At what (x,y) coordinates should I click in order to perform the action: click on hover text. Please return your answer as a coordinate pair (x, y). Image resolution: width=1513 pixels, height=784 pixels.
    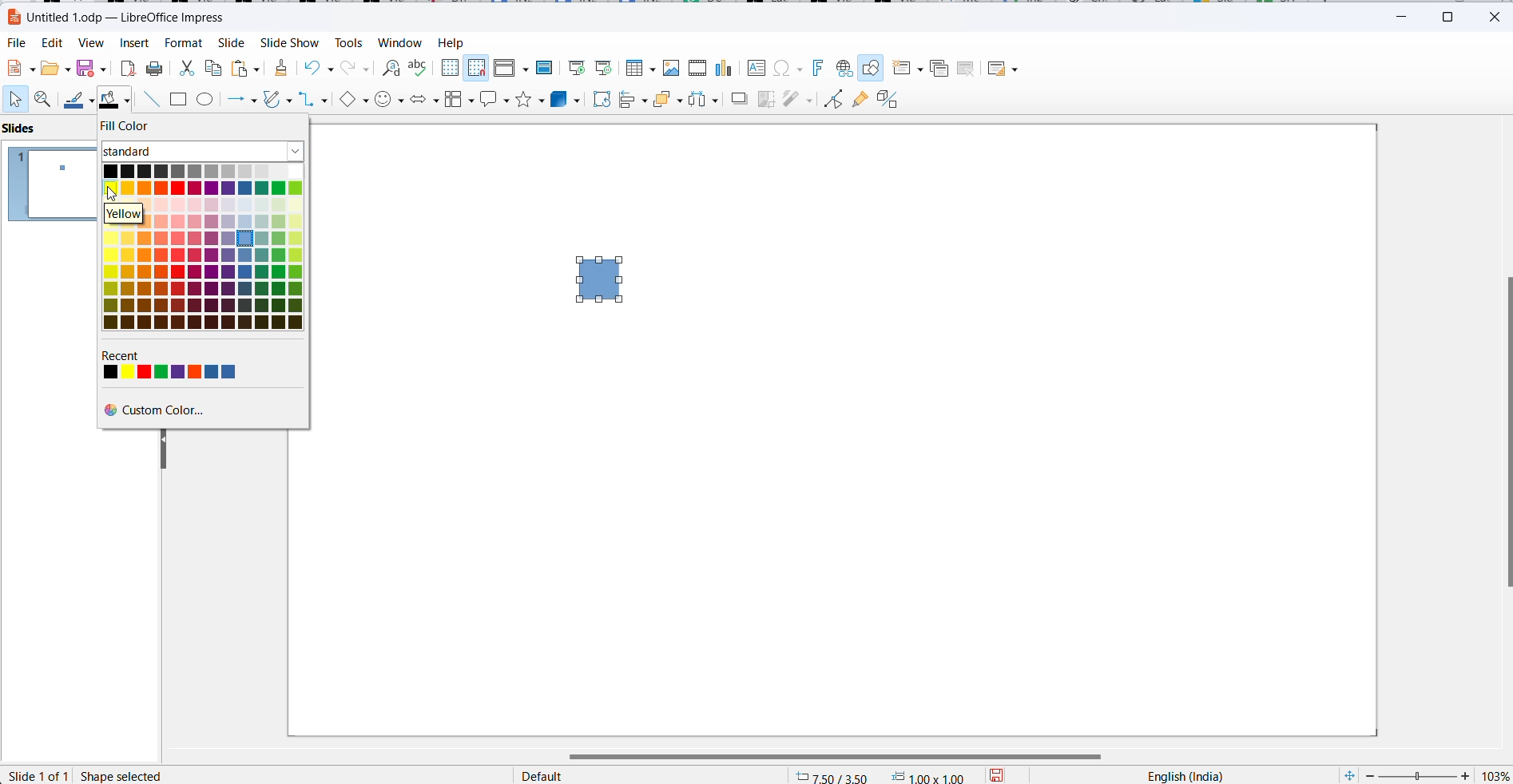
    Looking at the image, I should click on (125, 212).